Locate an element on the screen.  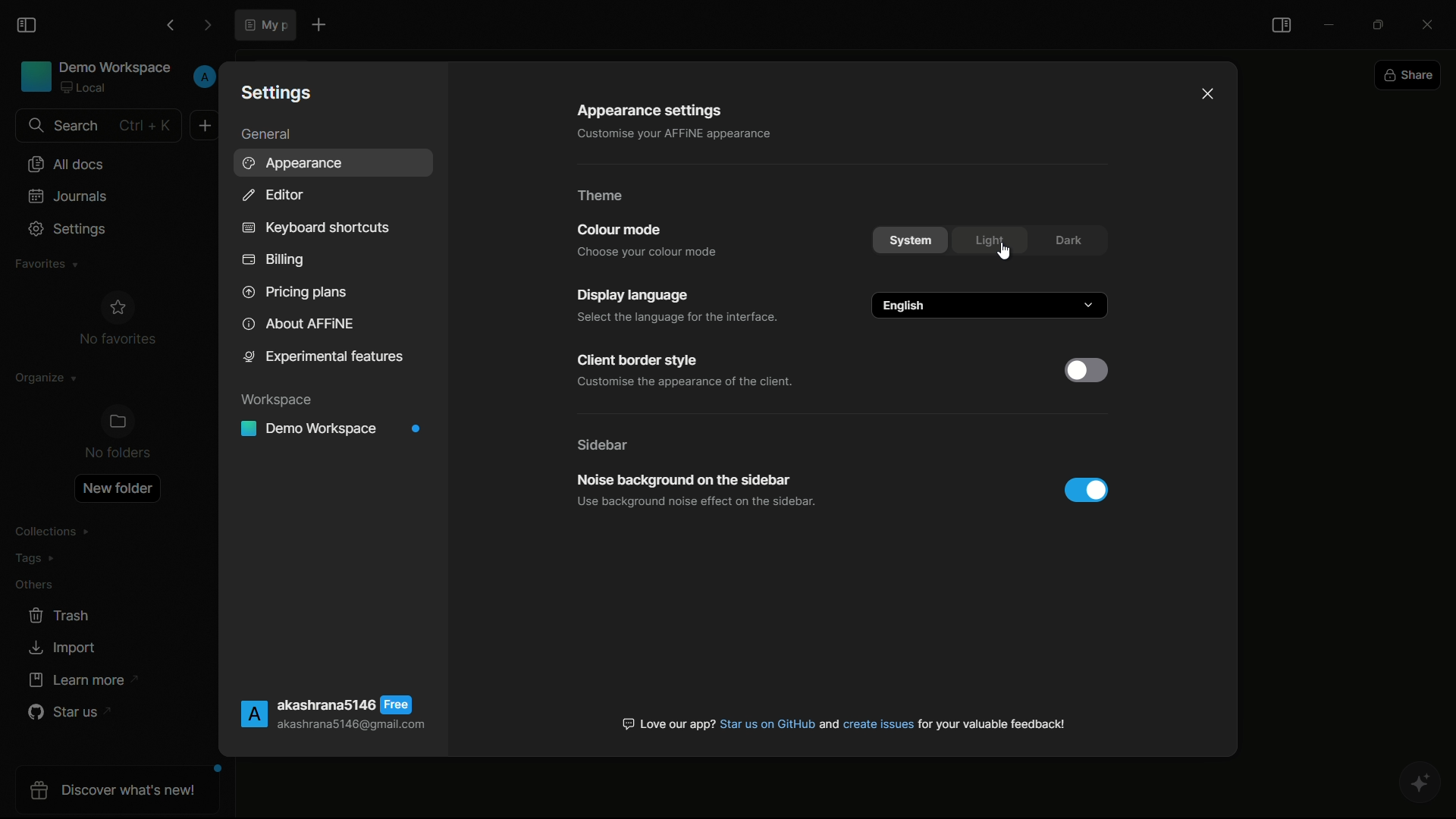
dark is located at coordinates (1068, 240).